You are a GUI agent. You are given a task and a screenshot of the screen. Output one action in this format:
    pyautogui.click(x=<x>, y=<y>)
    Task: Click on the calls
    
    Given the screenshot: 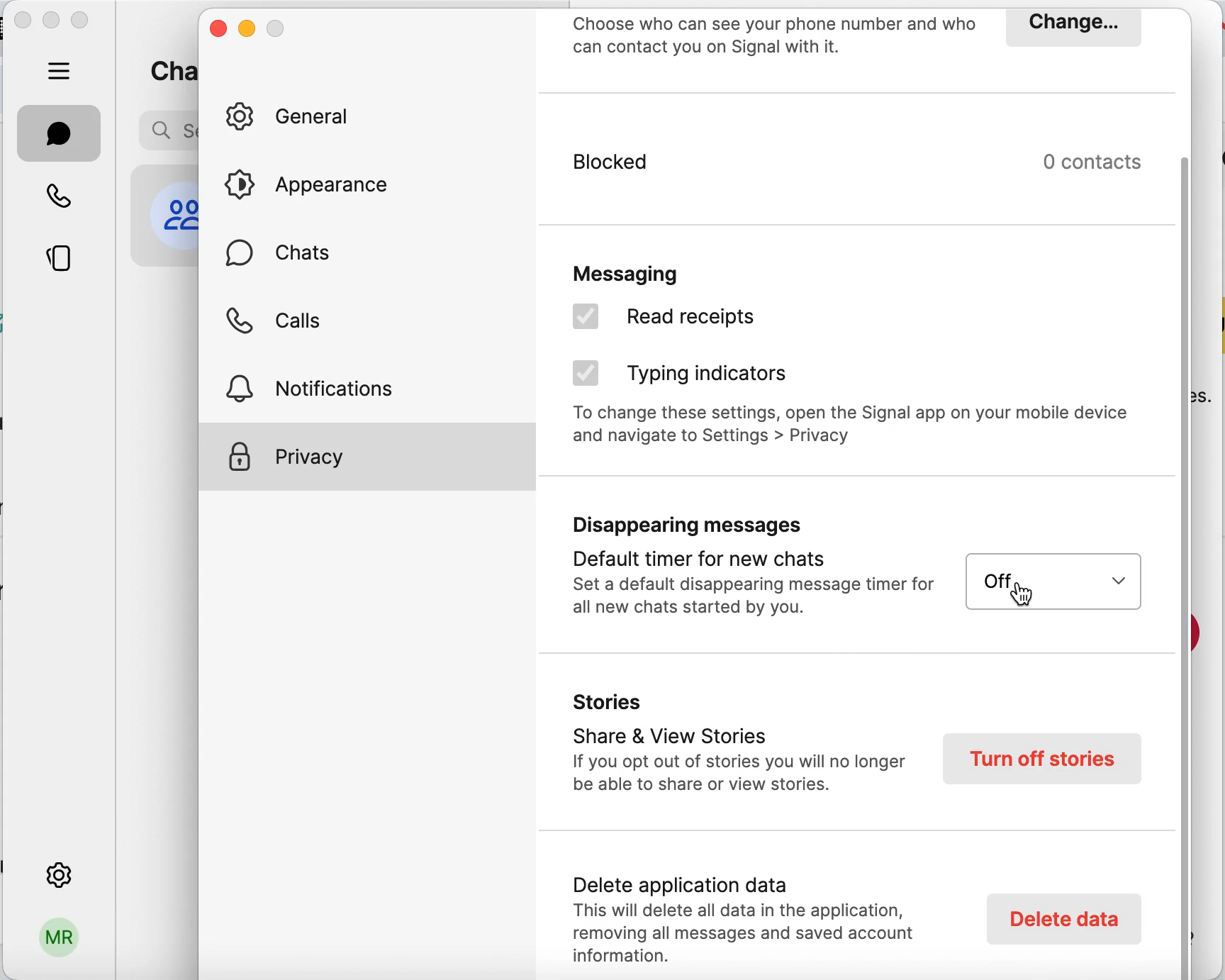 What is the action you would take?
    pyautogui.click(x=279, y=325)
    